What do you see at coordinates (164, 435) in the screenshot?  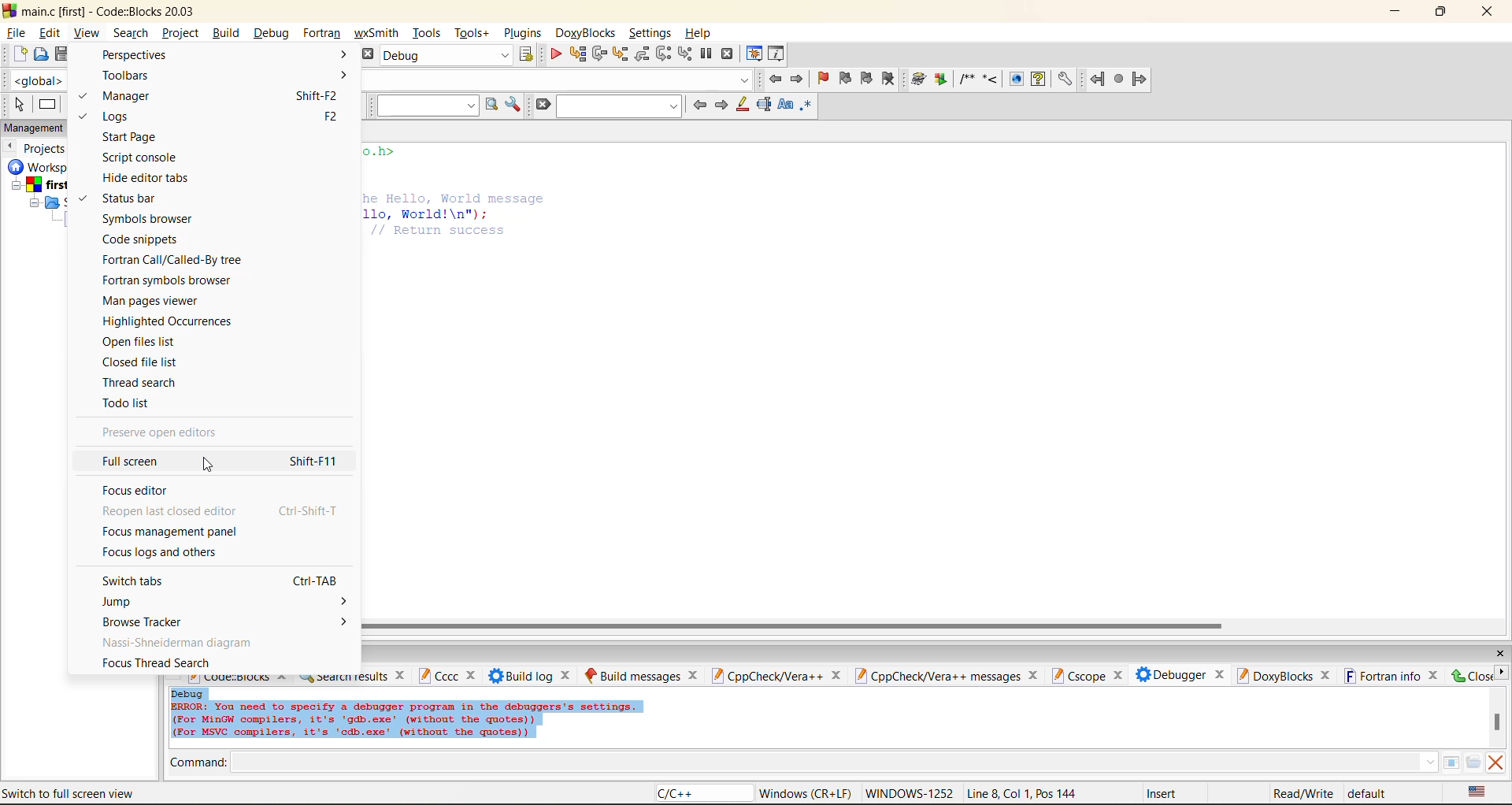 I see `present open editors` at bounding box center [164, 435].